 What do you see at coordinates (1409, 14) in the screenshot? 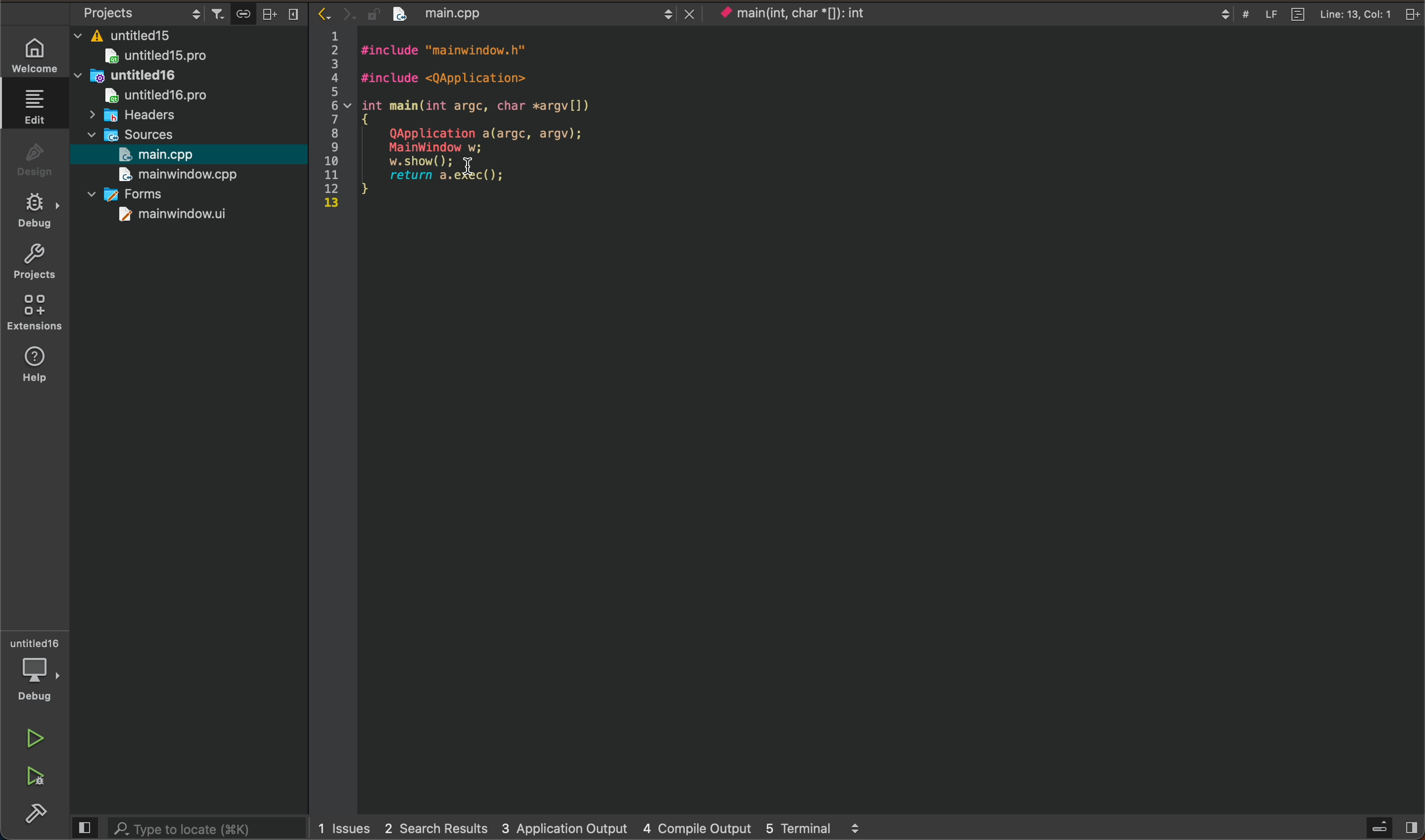
I see `close` at bounding box center [1409, 14].